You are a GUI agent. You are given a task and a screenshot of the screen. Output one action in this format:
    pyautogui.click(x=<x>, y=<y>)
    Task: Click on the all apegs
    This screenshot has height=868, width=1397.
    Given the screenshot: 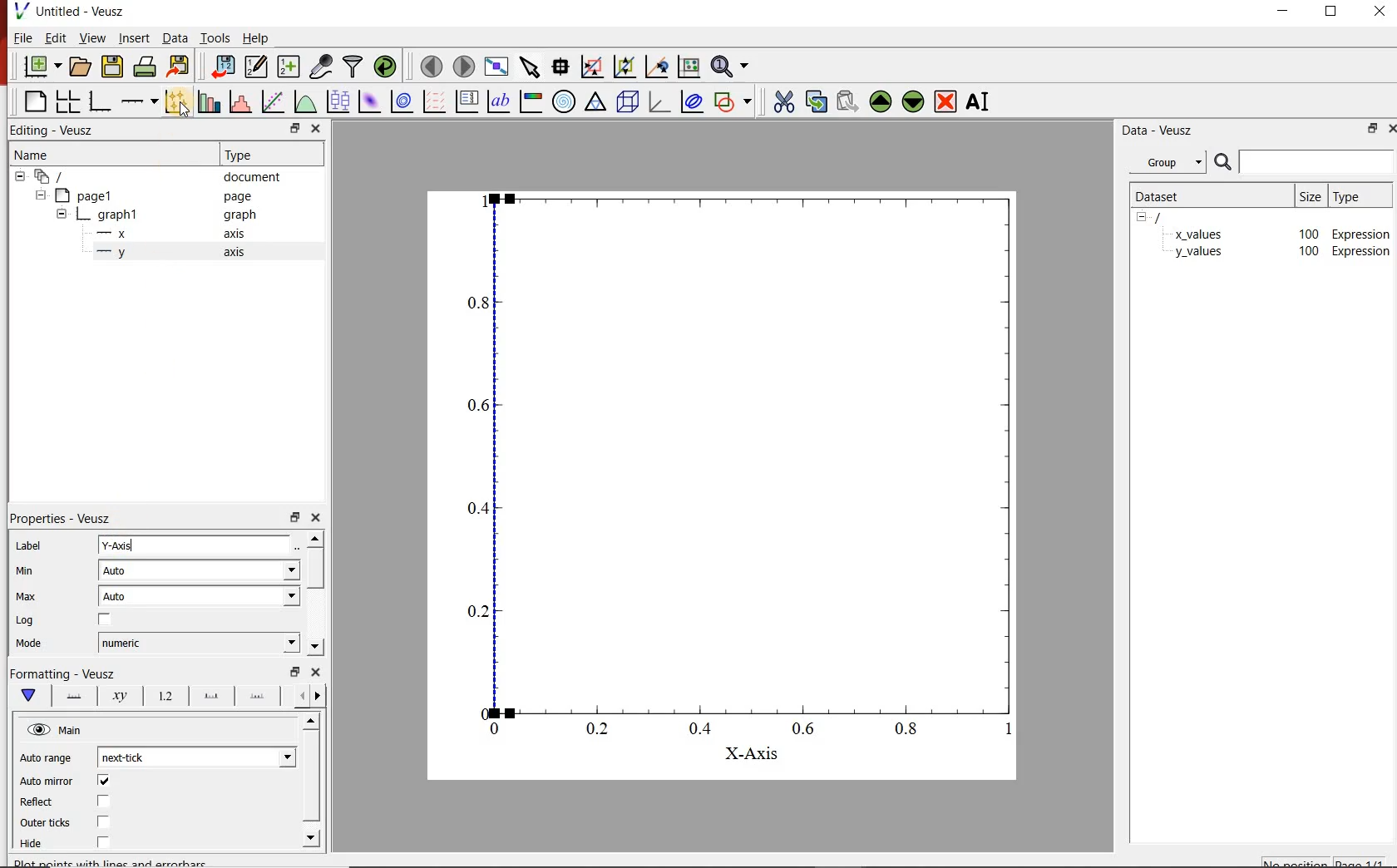 What is the action you would take?
    pyautogui.click(x=58, y=176)
    